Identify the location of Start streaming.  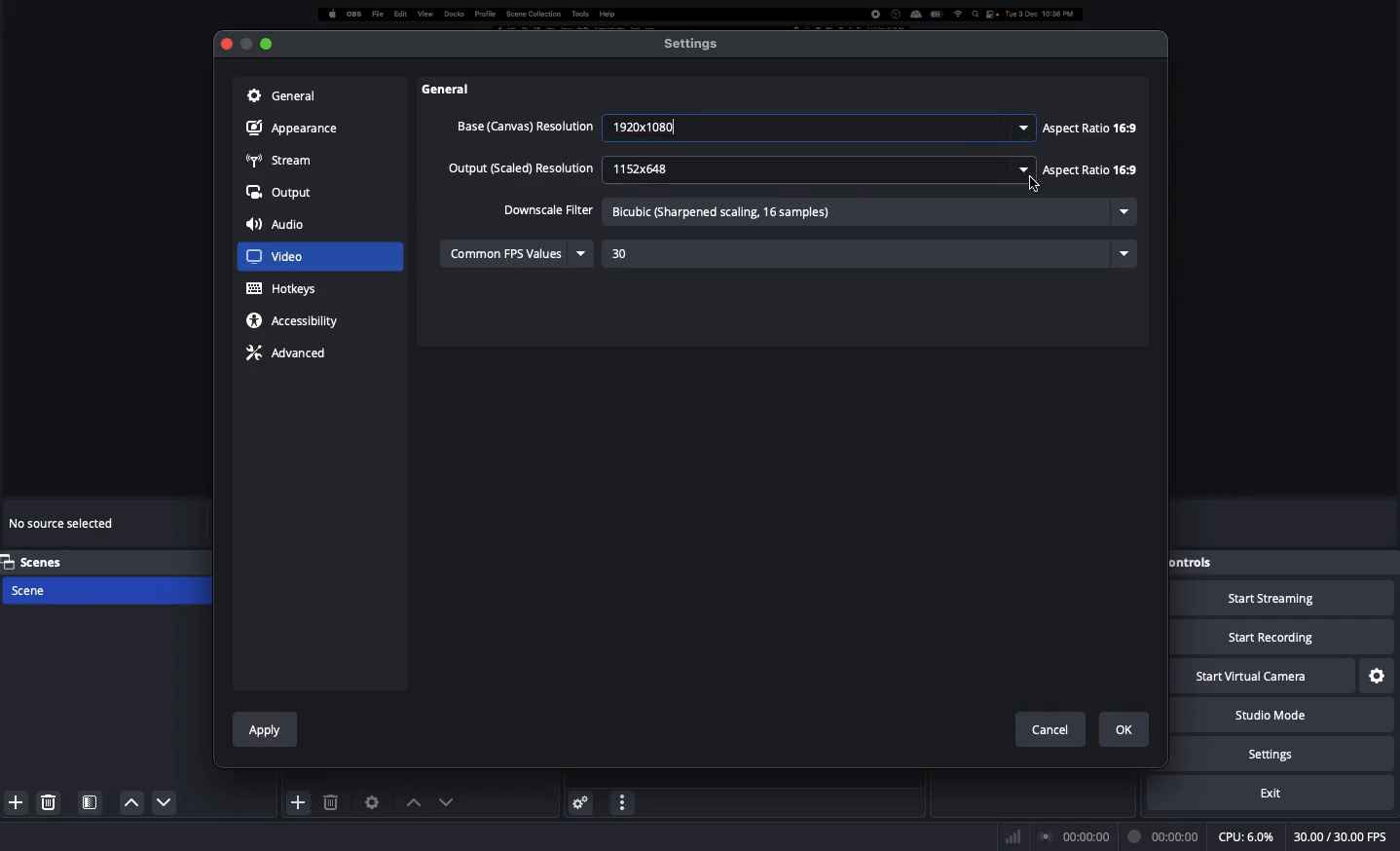
(1283, 600).